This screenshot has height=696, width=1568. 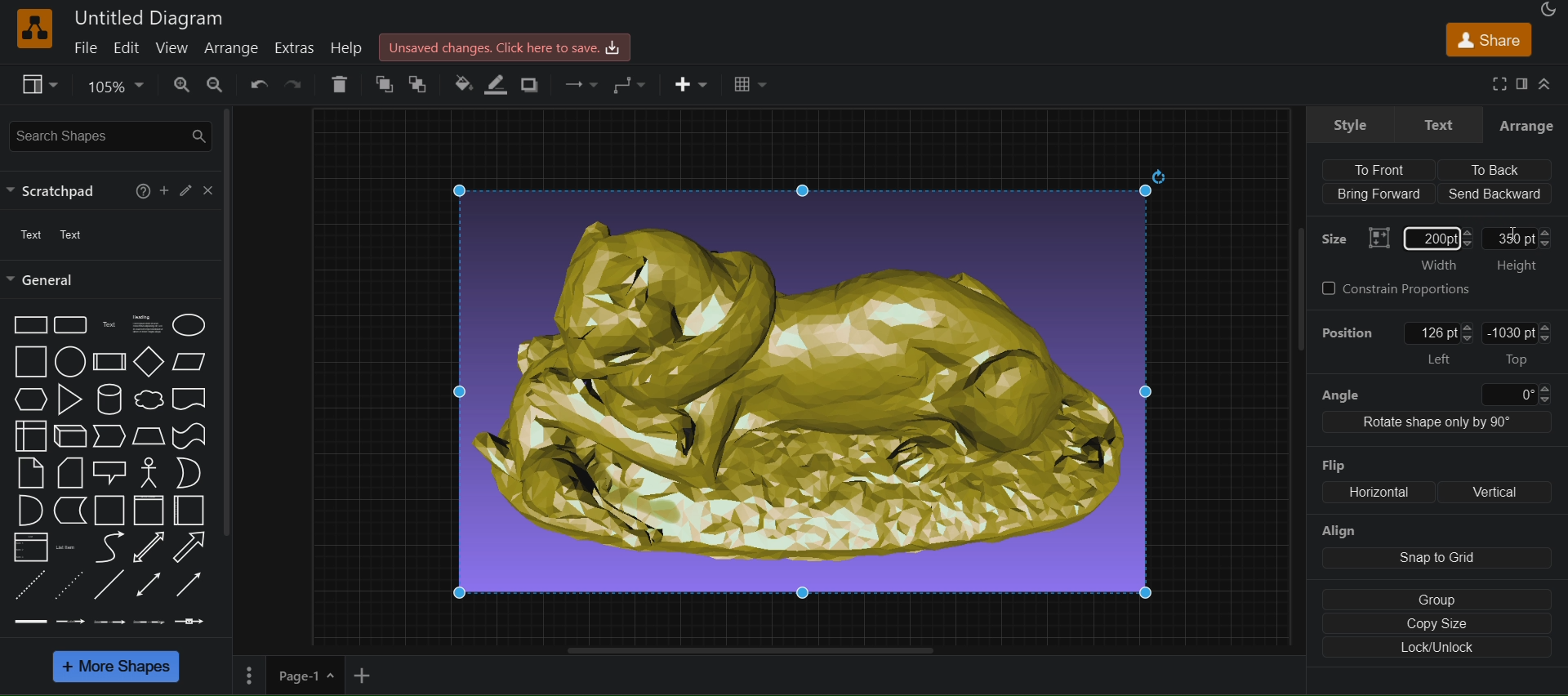 I want to click on edit, so click(x=185, y=190).